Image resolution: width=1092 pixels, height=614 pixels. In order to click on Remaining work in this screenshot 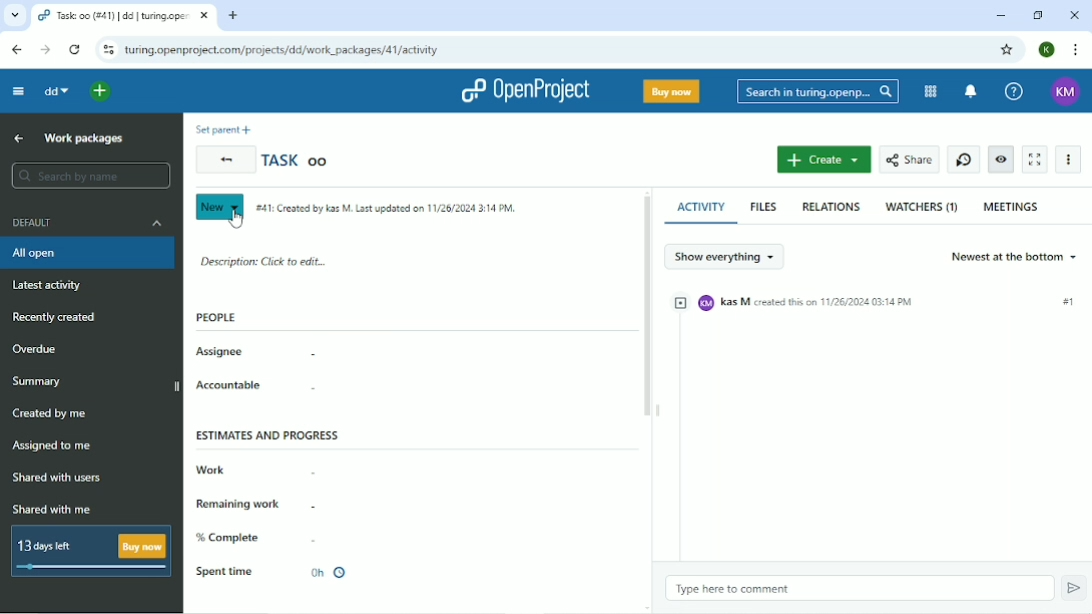, I will do `click(242, 505)`.